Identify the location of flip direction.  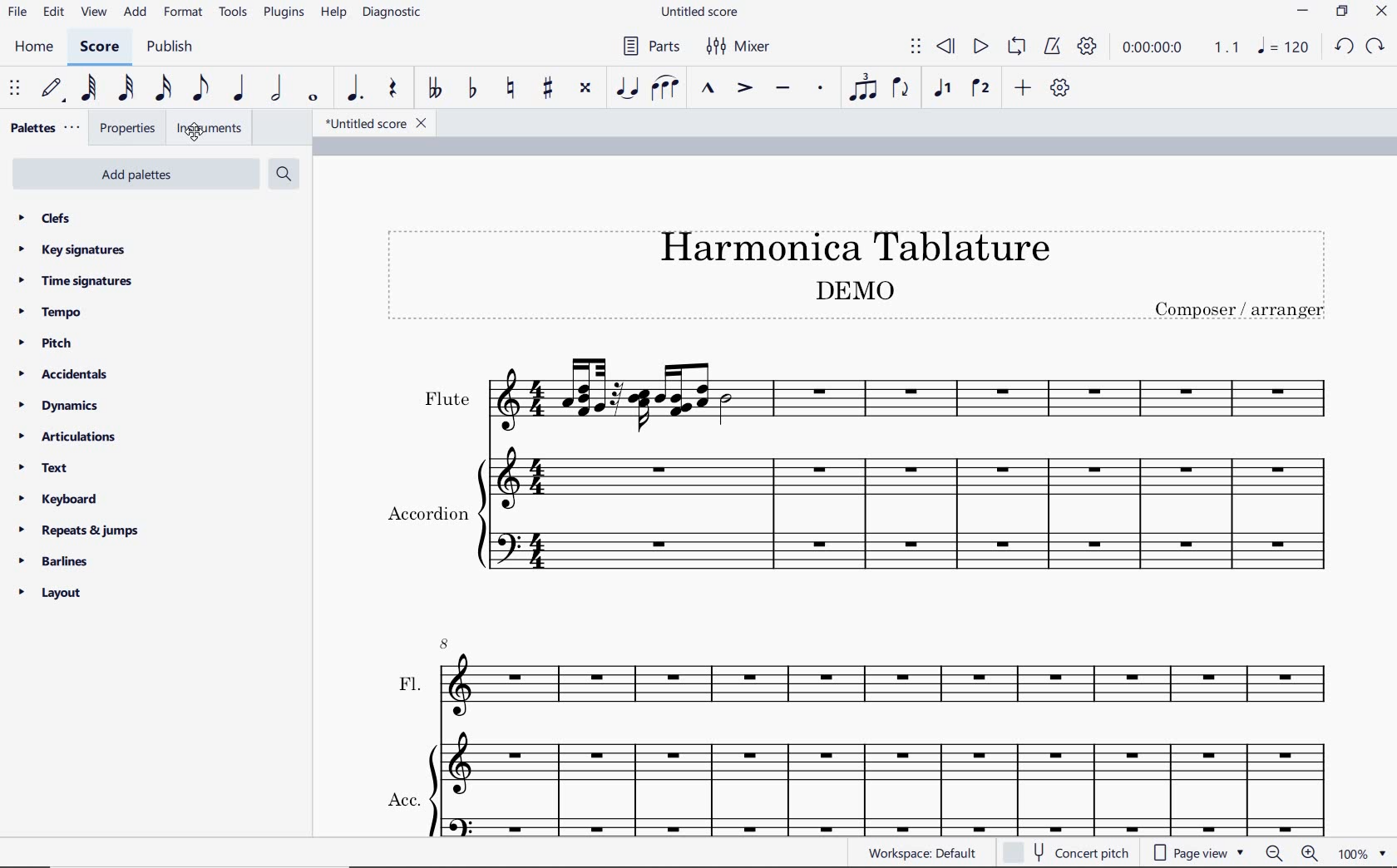
(902, 89).